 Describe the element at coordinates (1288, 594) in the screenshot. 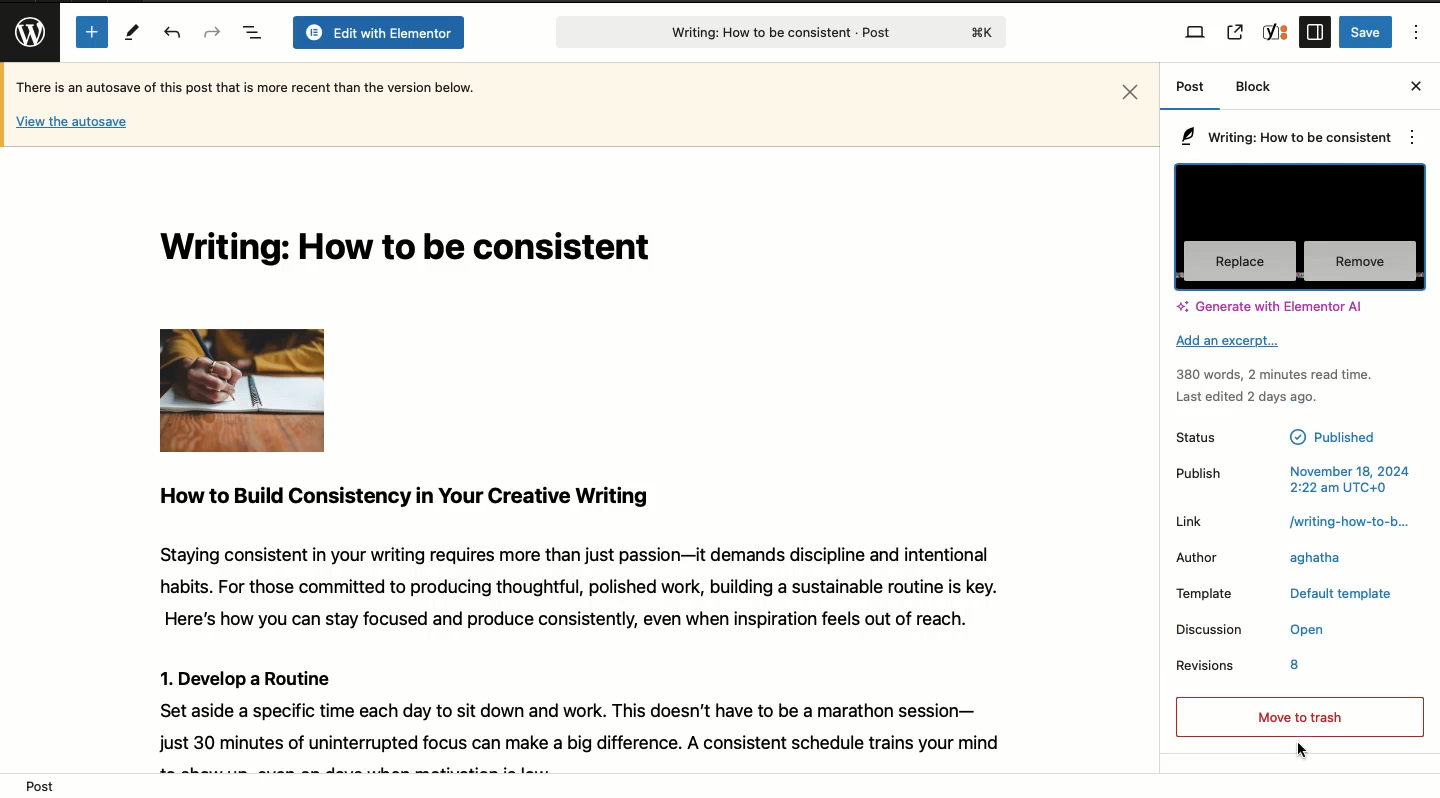

I see `Template Default template` at that location.